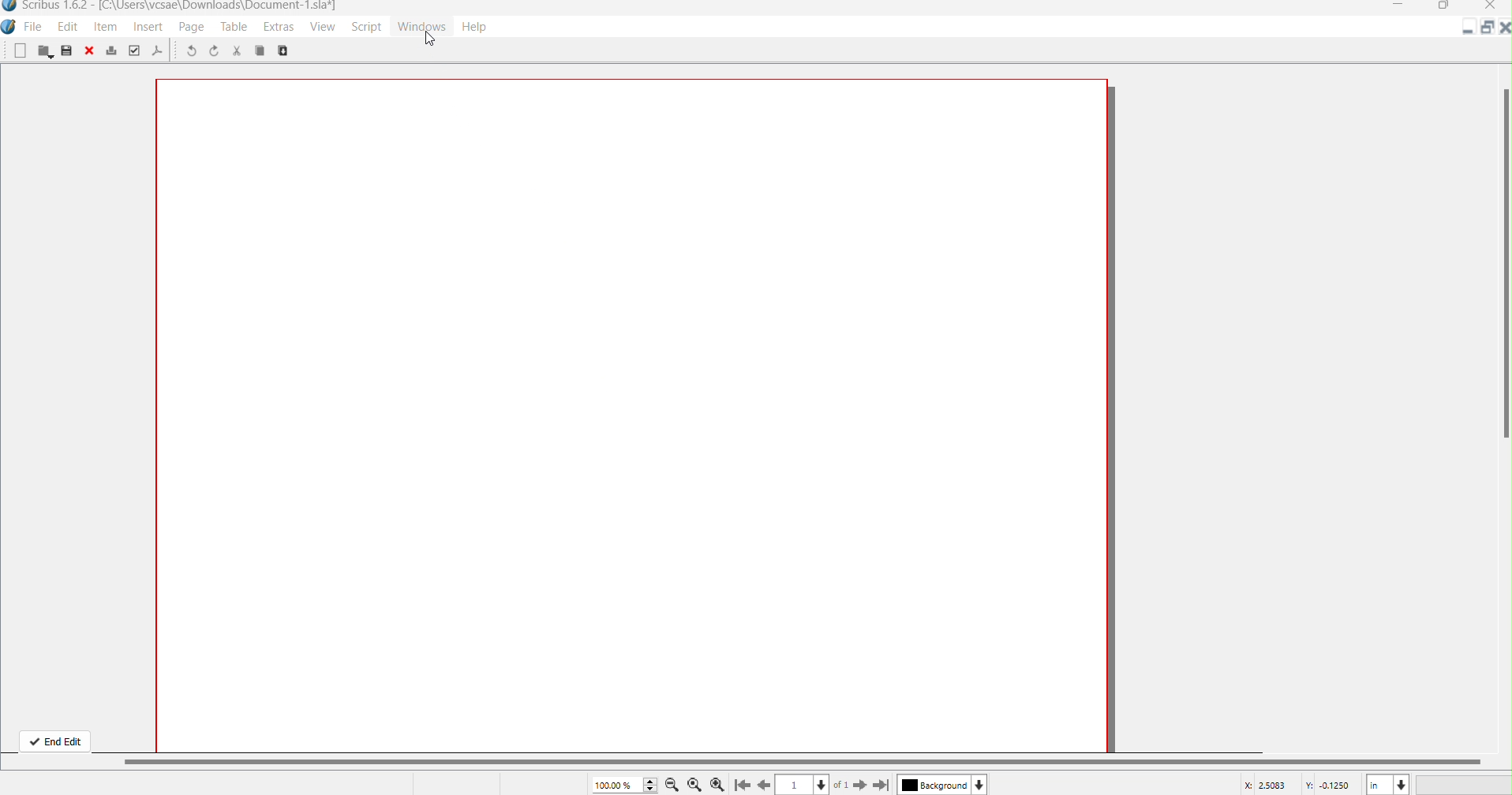  Describe the element at coordinates (1470, 31) in the screenshot. I see `Minimize` at that location.